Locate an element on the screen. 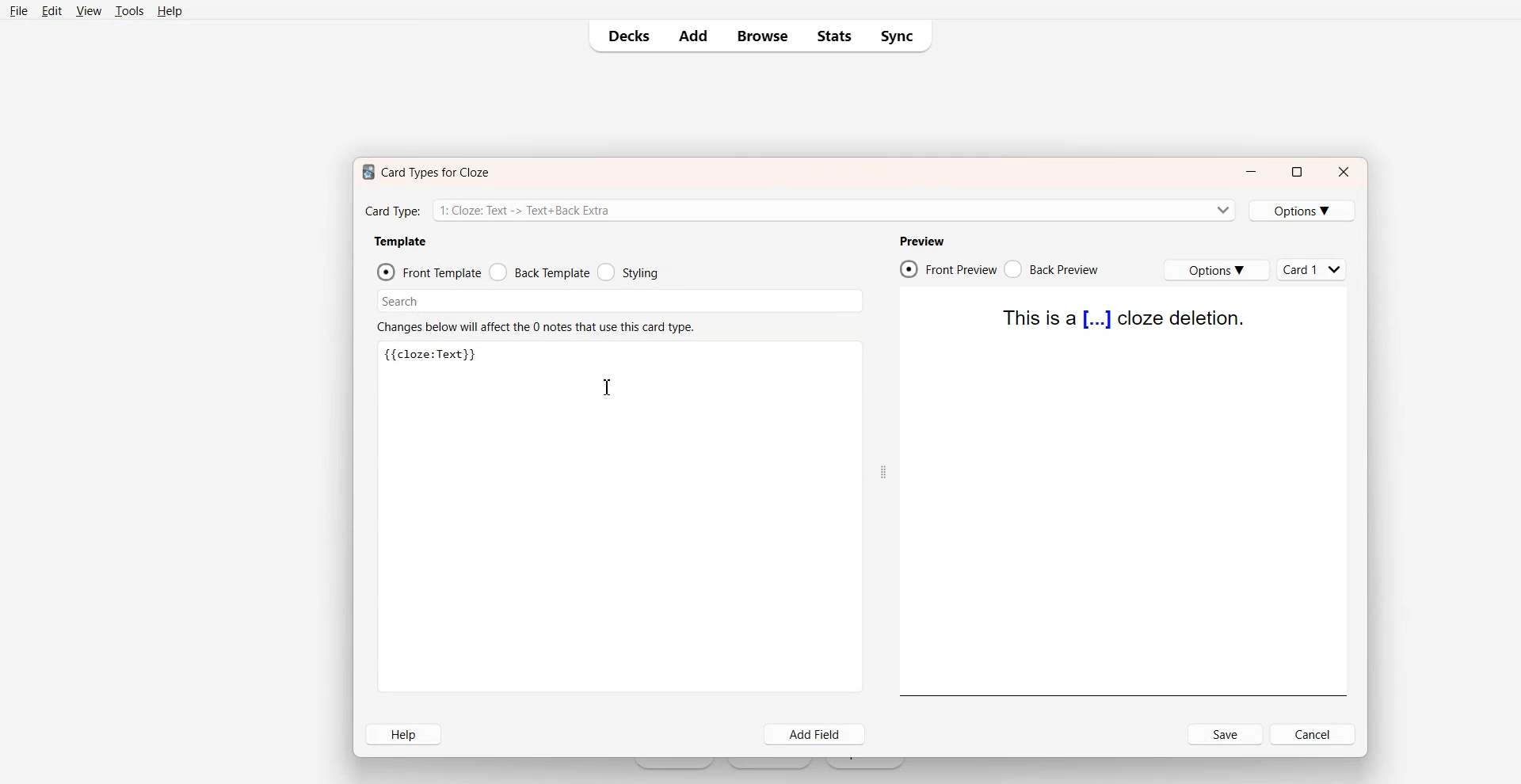 The width and height of the screenshot is (1521, 784). Save is located at coordinates (1226, 734).